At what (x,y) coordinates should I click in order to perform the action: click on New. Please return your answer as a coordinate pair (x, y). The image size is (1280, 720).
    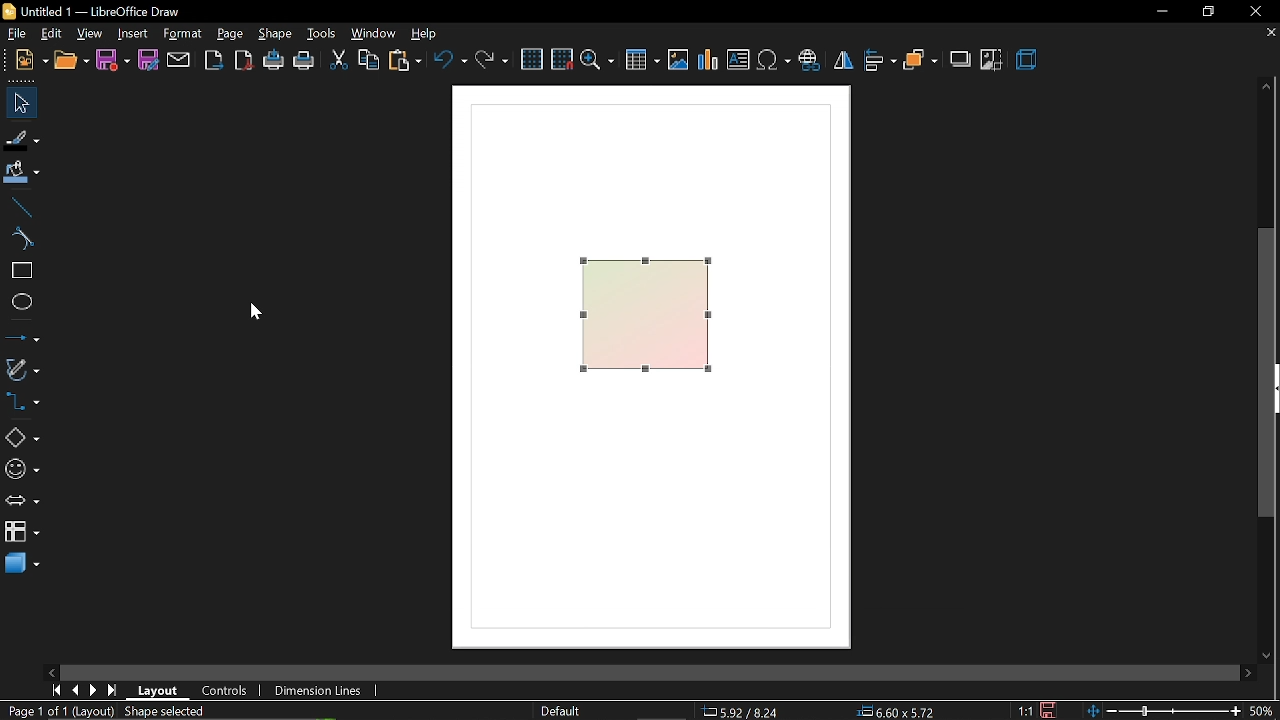
    Looking at the image, I should click on (24, 60).